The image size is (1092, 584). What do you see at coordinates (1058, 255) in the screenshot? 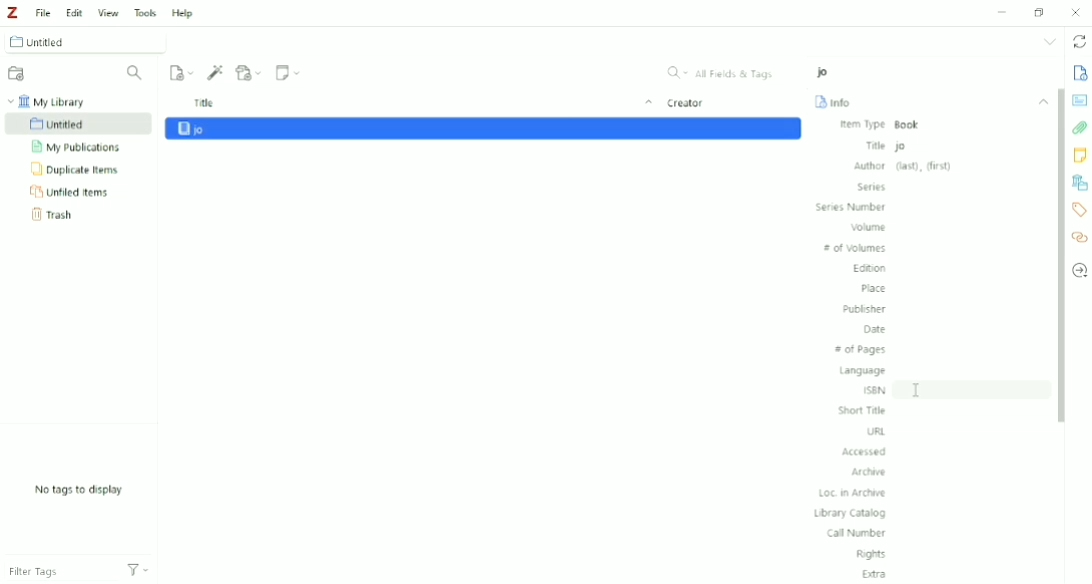
I see `Vertical scrollbar` at bounding box center [1058, 255].